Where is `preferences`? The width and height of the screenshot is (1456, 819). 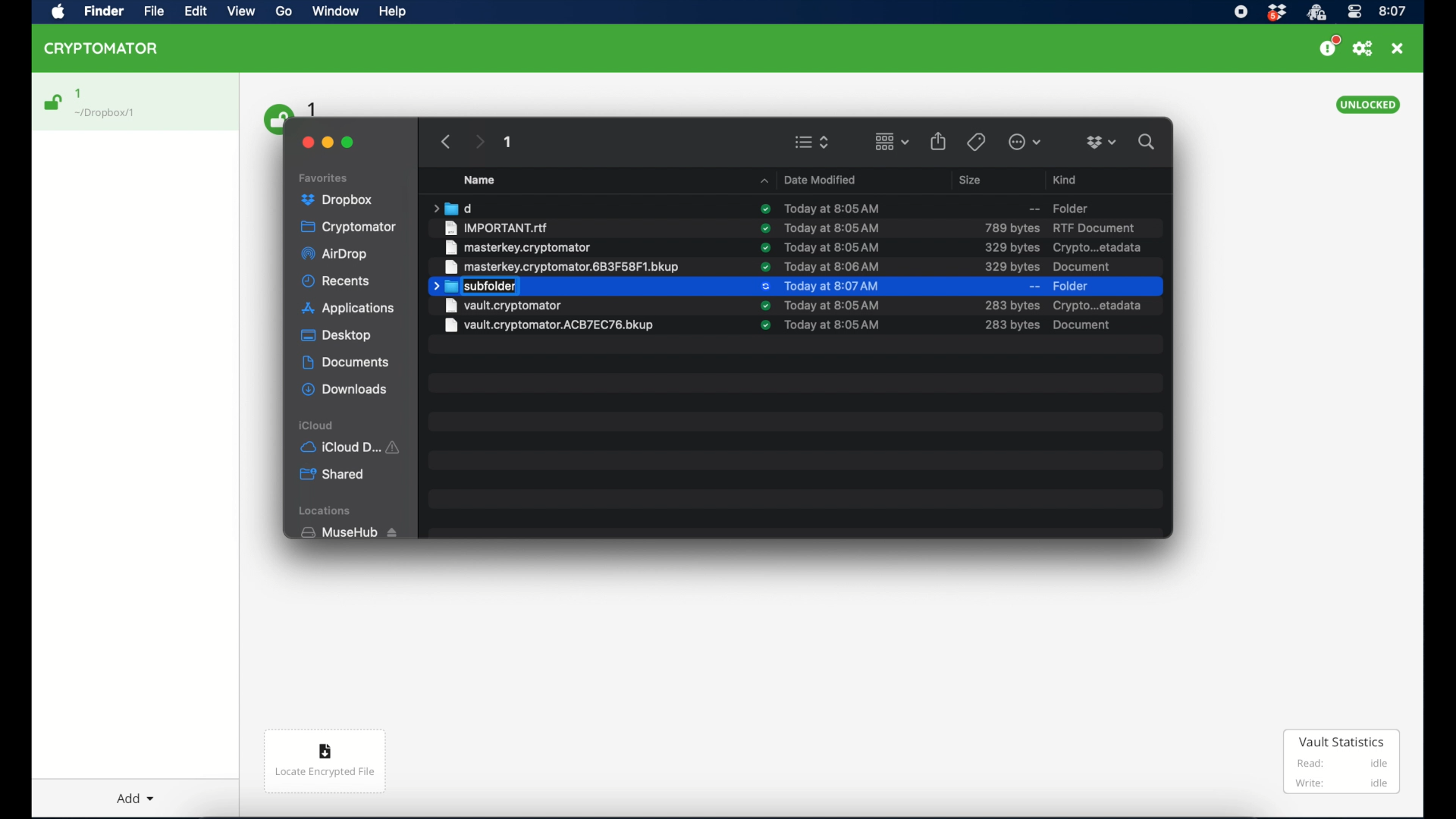 preferences is located at coordinates (1363, 49).